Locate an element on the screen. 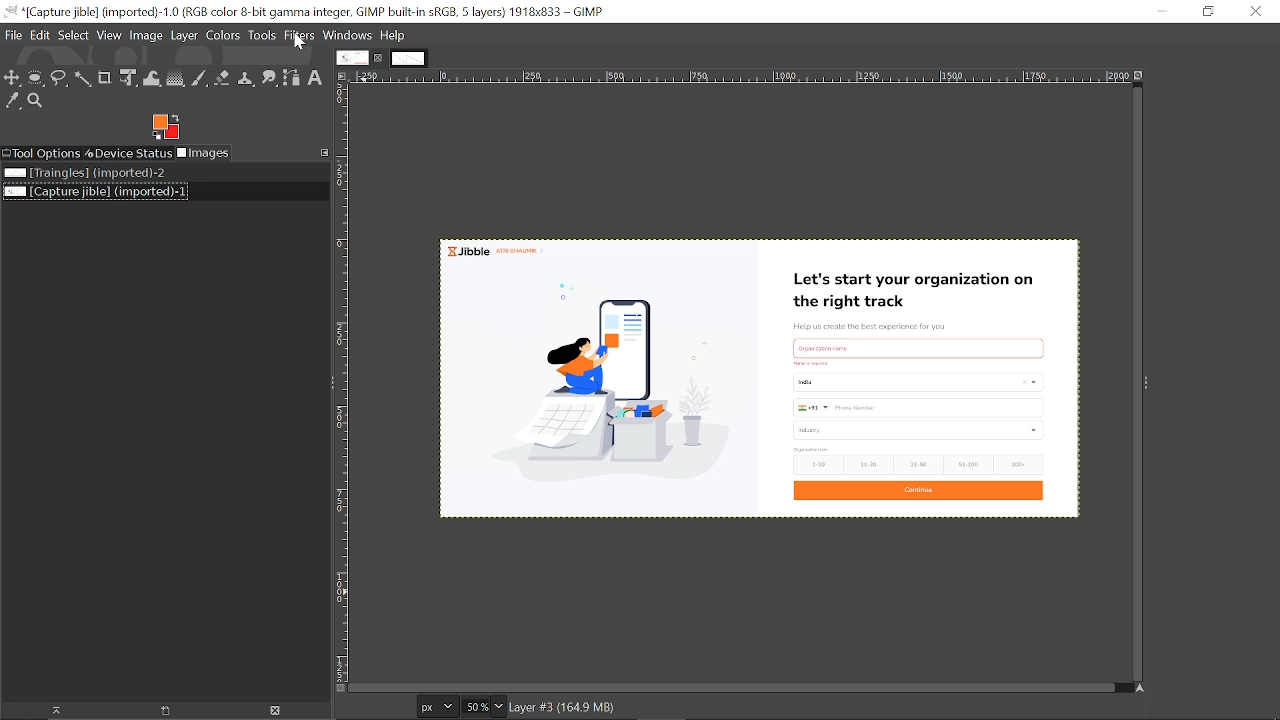 The height and width of the screenshot is (720, 1280).  is located at coordinates (917, 345).